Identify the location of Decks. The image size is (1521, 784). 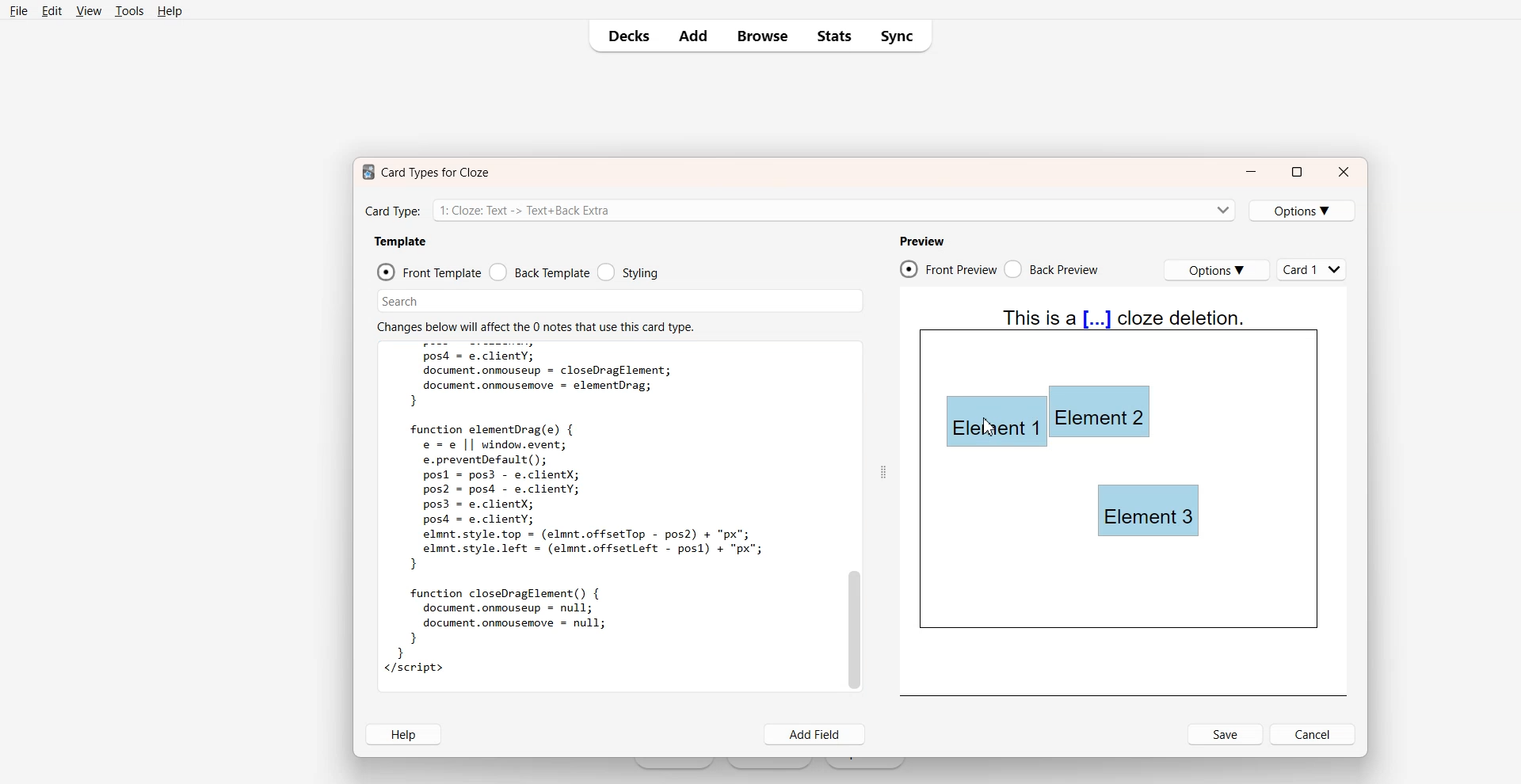
(623, 36).